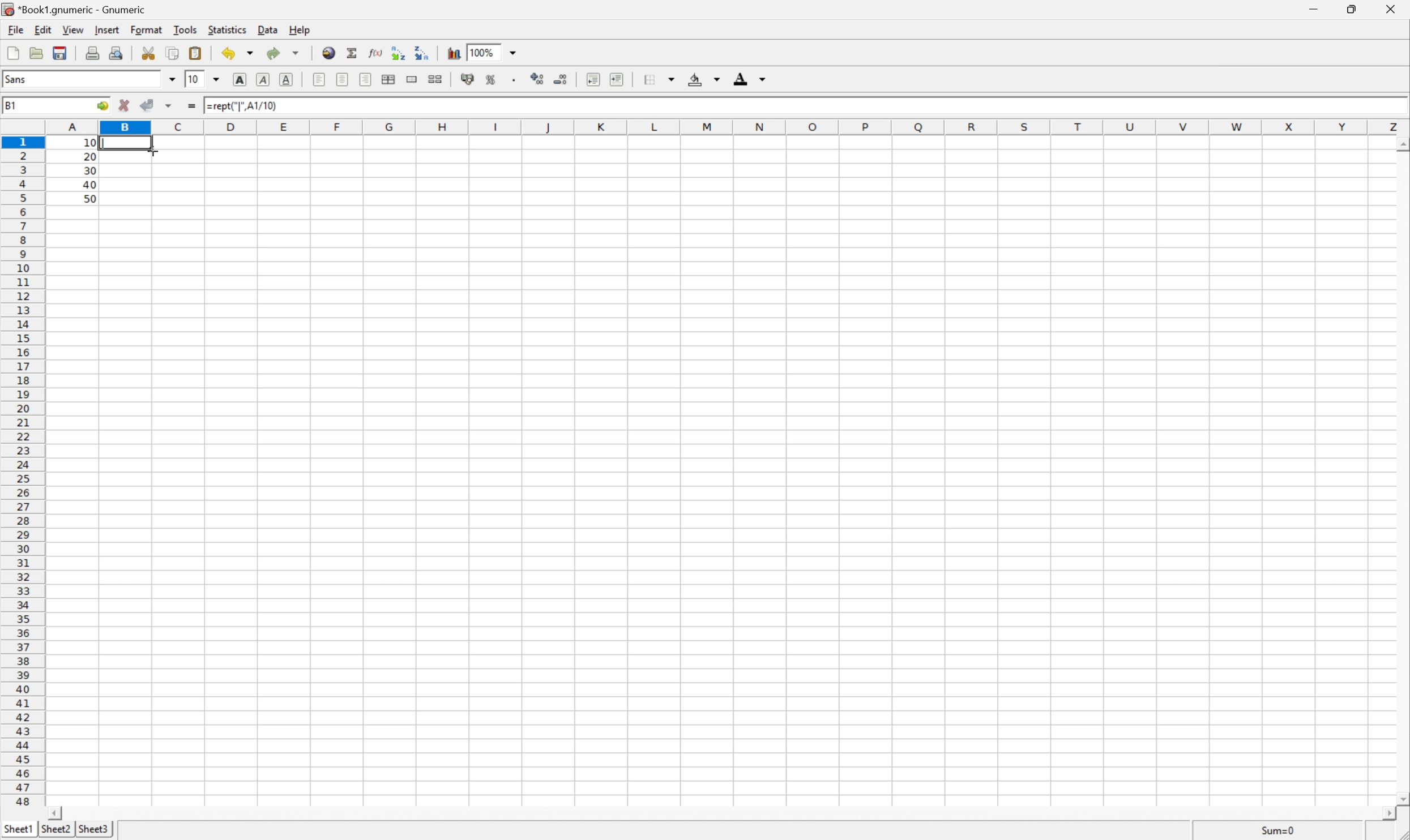 The width and height of the screenshot is (1410, 840). I want to click on =REPT("|", A1/10), so click(245, 105).